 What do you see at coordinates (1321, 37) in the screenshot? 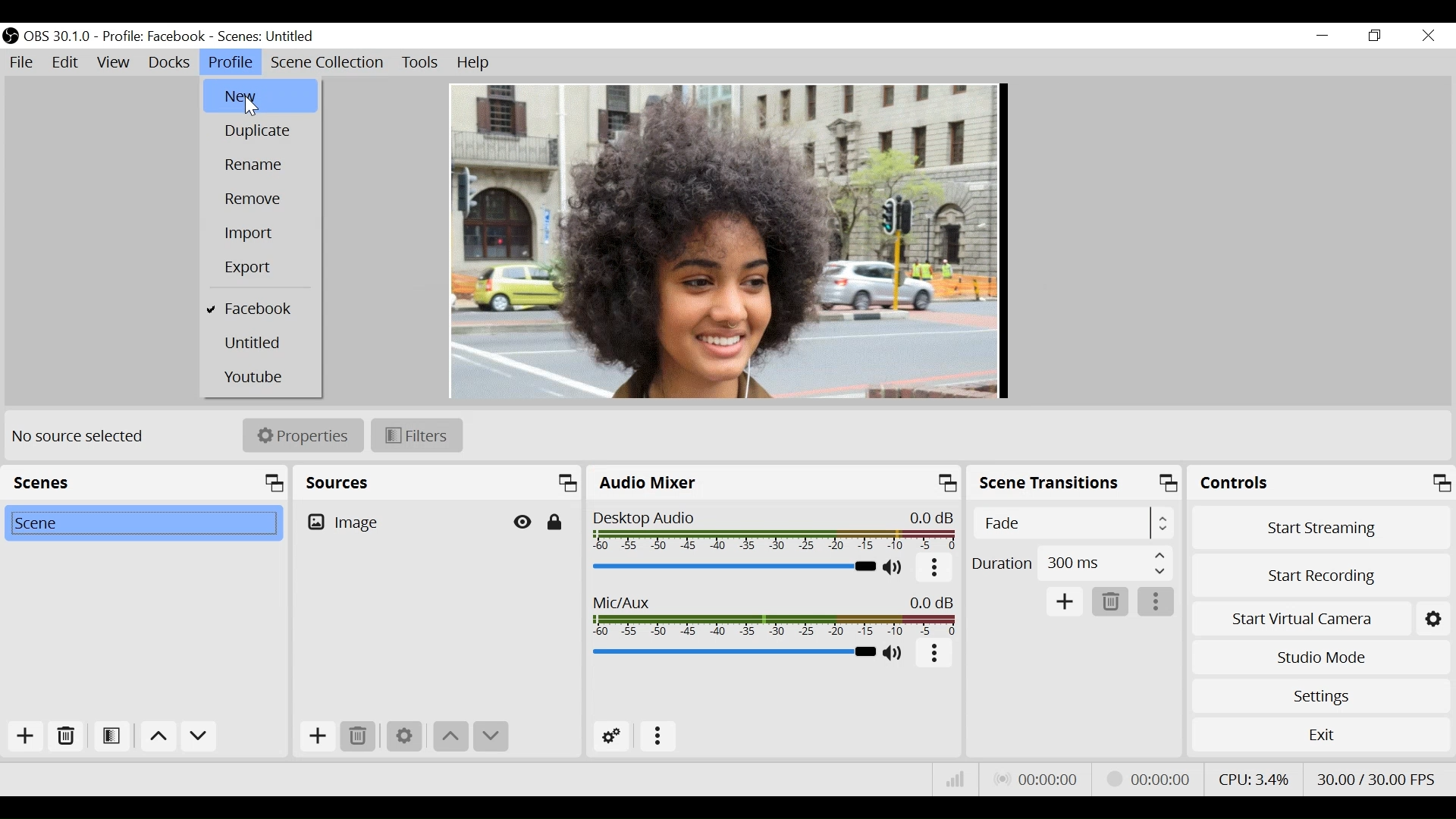
I see `minimize` at bounding box center [1321, 37].